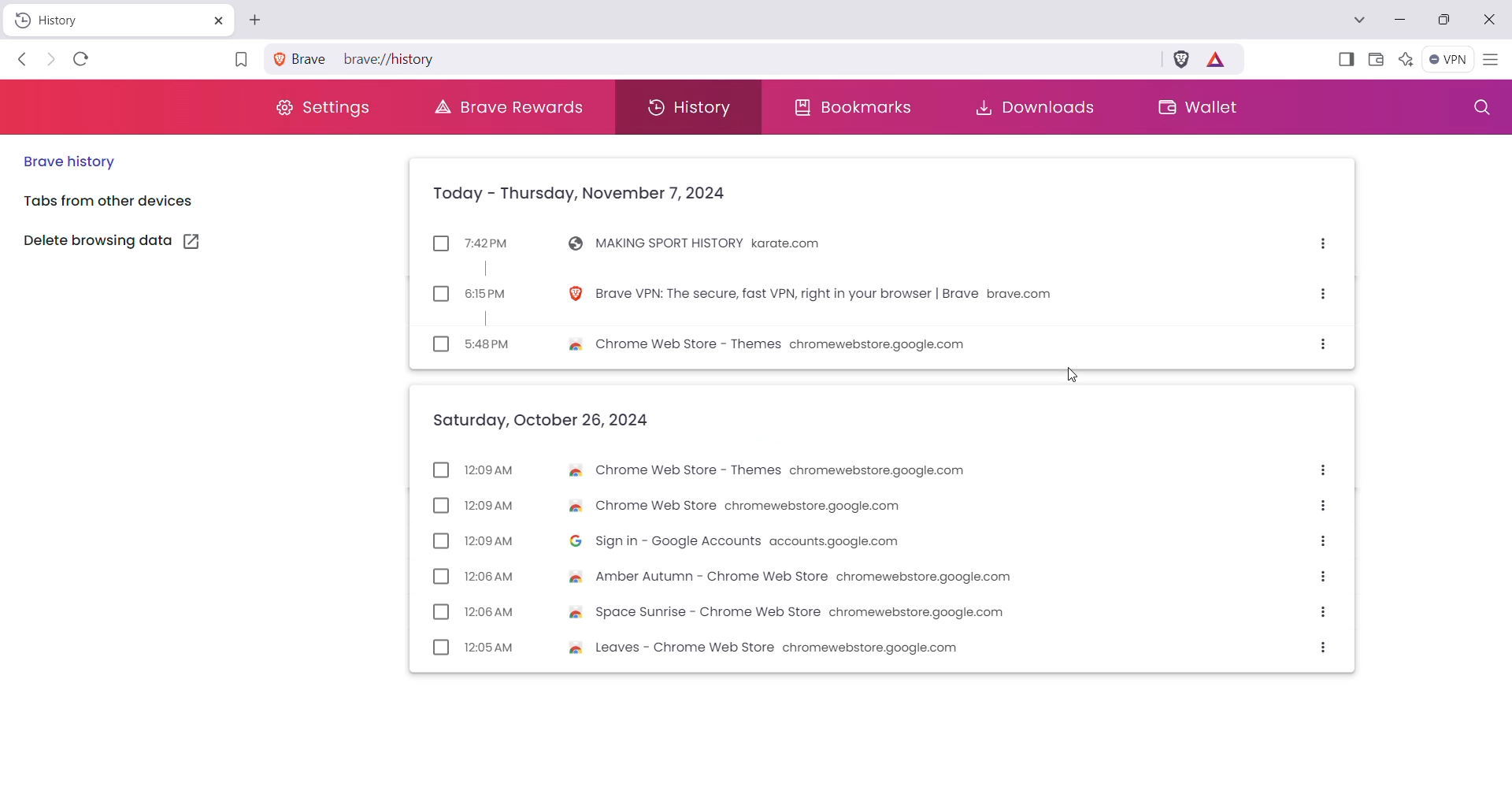 This screenshot has height=802, width=1512. I want to click on Close Tab, so click(213, 20).